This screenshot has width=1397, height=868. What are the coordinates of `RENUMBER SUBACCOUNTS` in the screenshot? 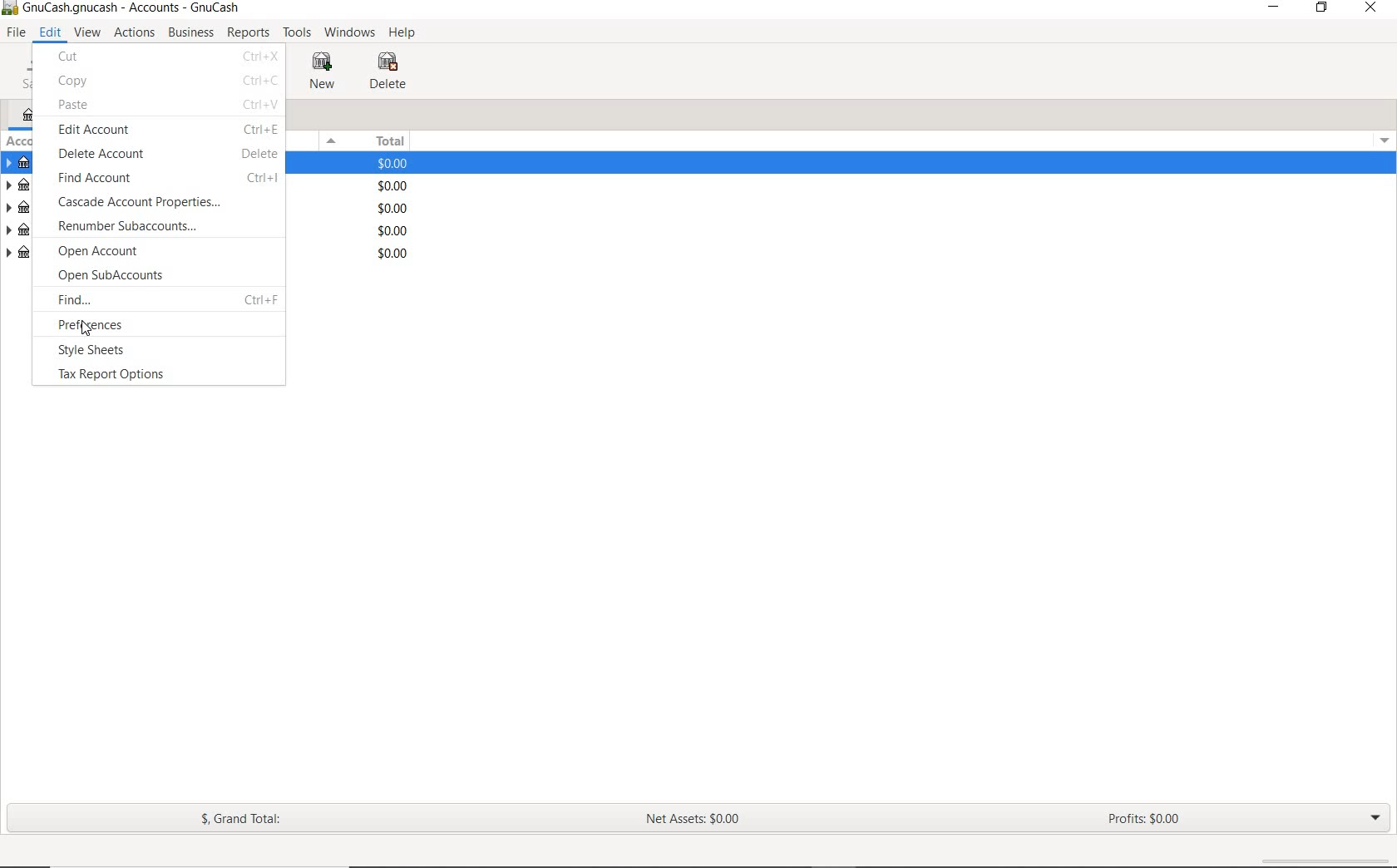 It's located at (163, 227).